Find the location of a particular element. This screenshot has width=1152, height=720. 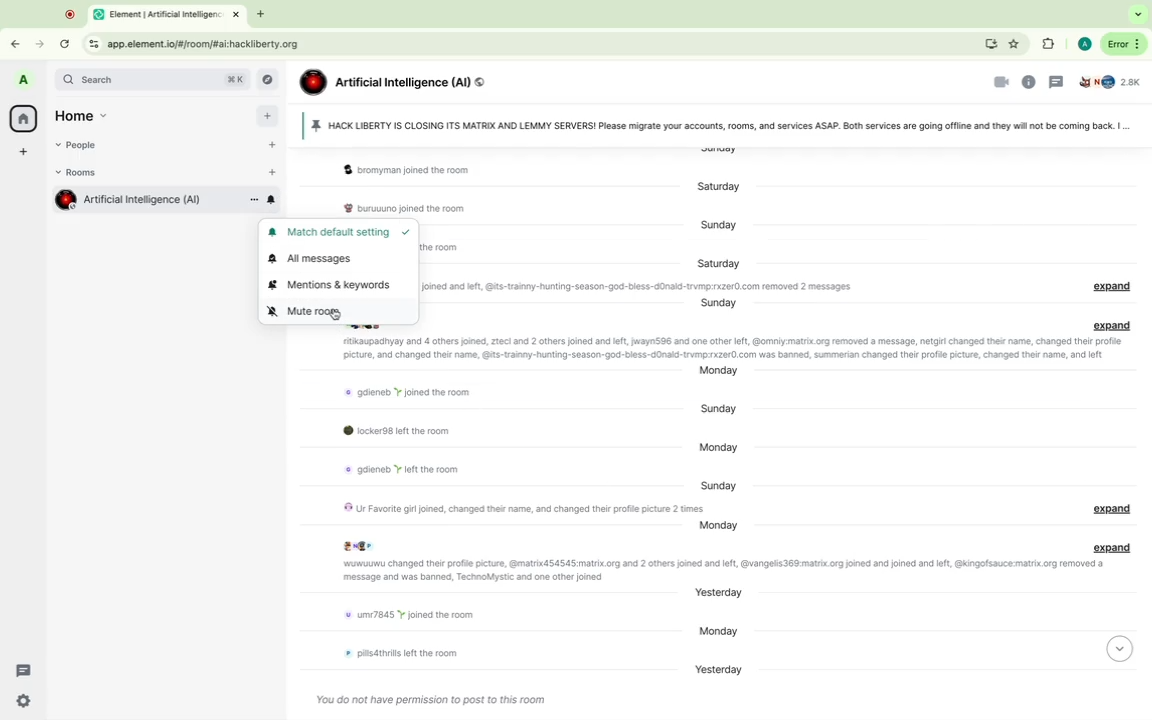

Threads is located at coordinates (1056, 82).